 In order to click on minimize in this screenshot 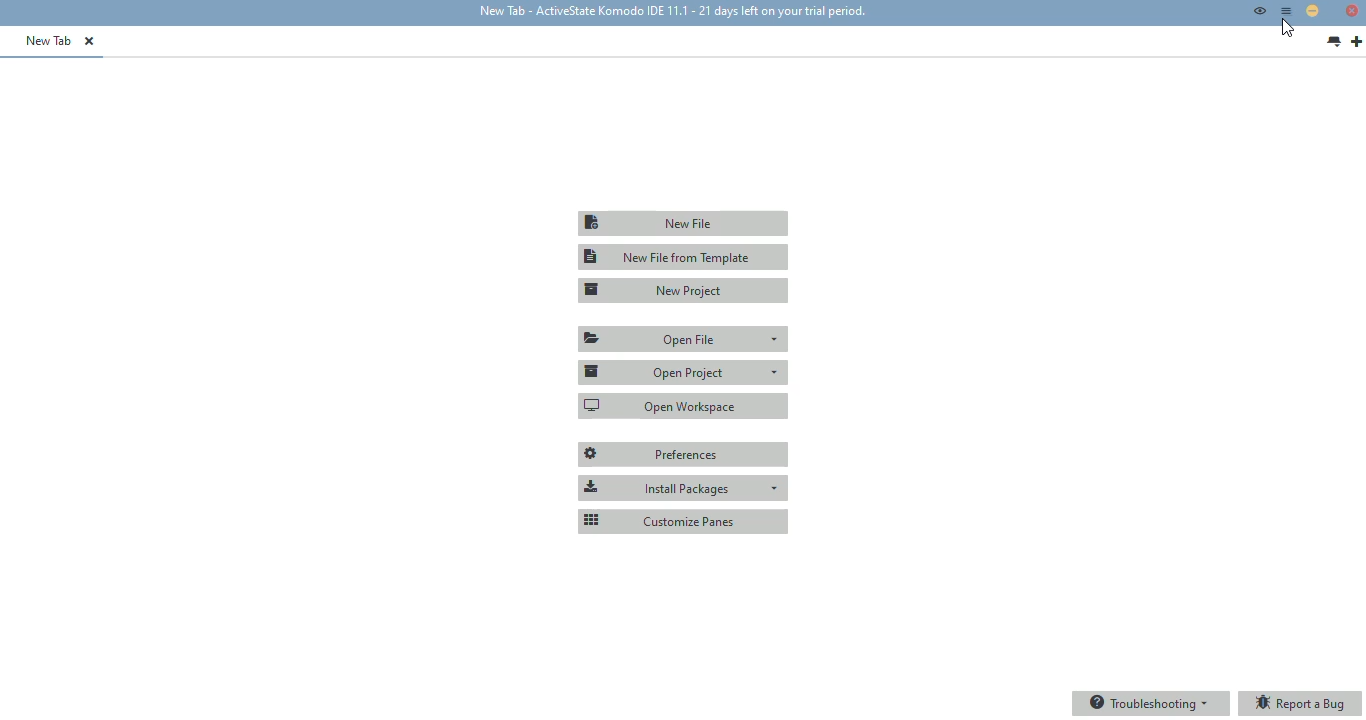, I will do `click(1312, 10)`.